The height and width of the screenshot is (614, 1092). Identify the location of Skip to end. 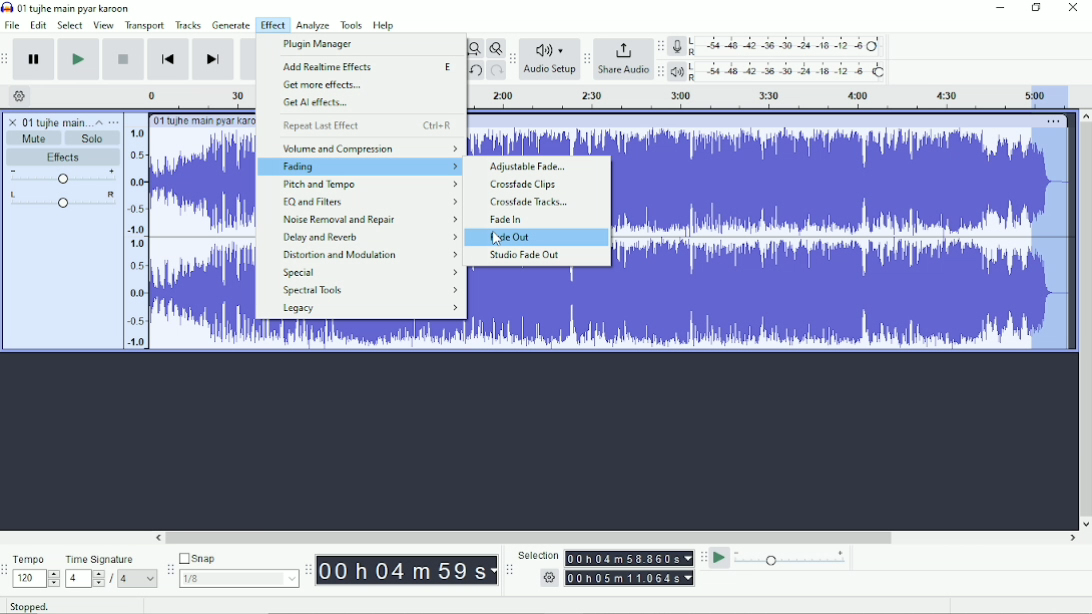
(213, 60).